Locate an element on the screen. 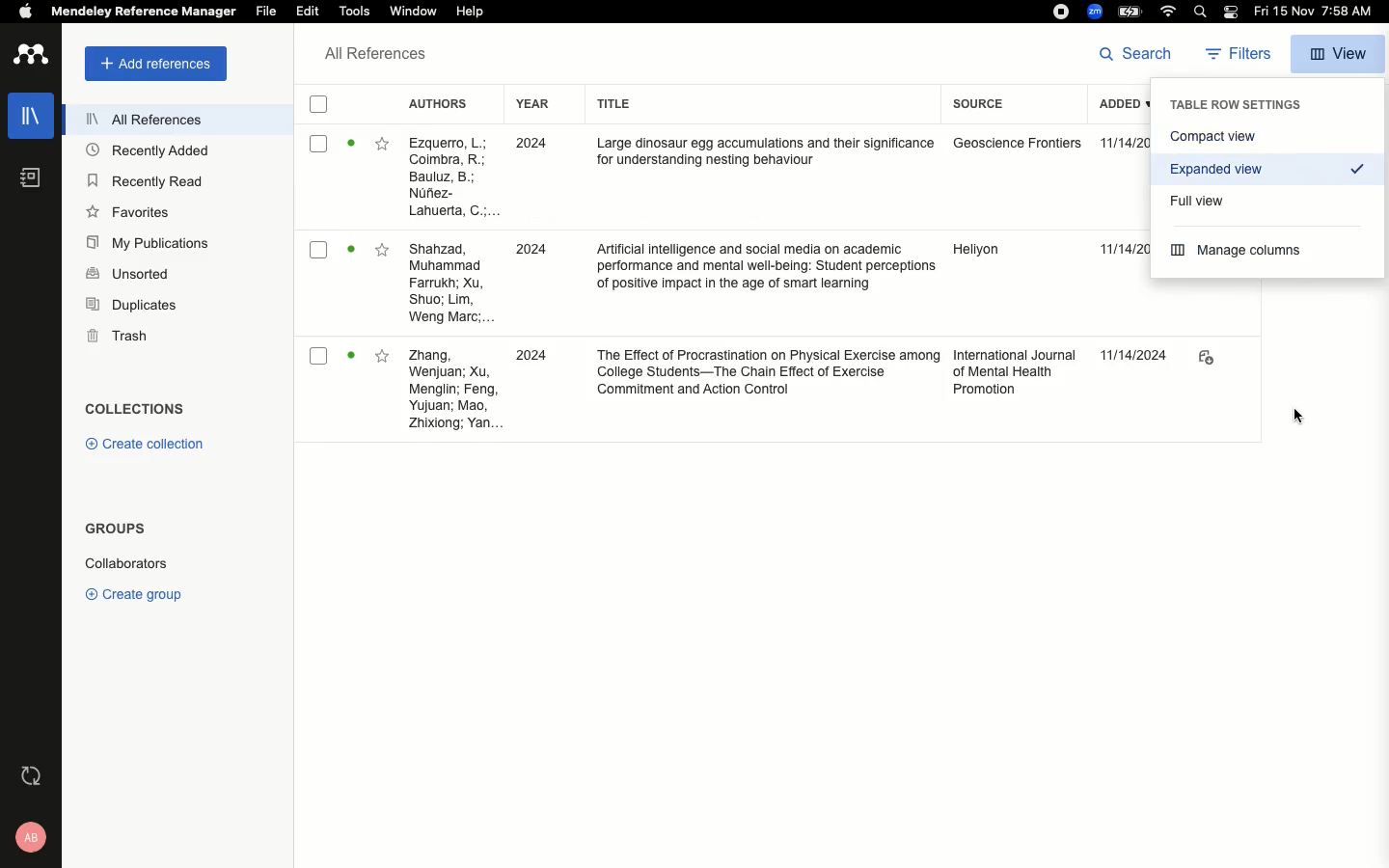  Shahzad,
Muhammad
Farrukh; Xu,
Shuo; Lim,
Weng Marc; is located at coordinates (450, 284).